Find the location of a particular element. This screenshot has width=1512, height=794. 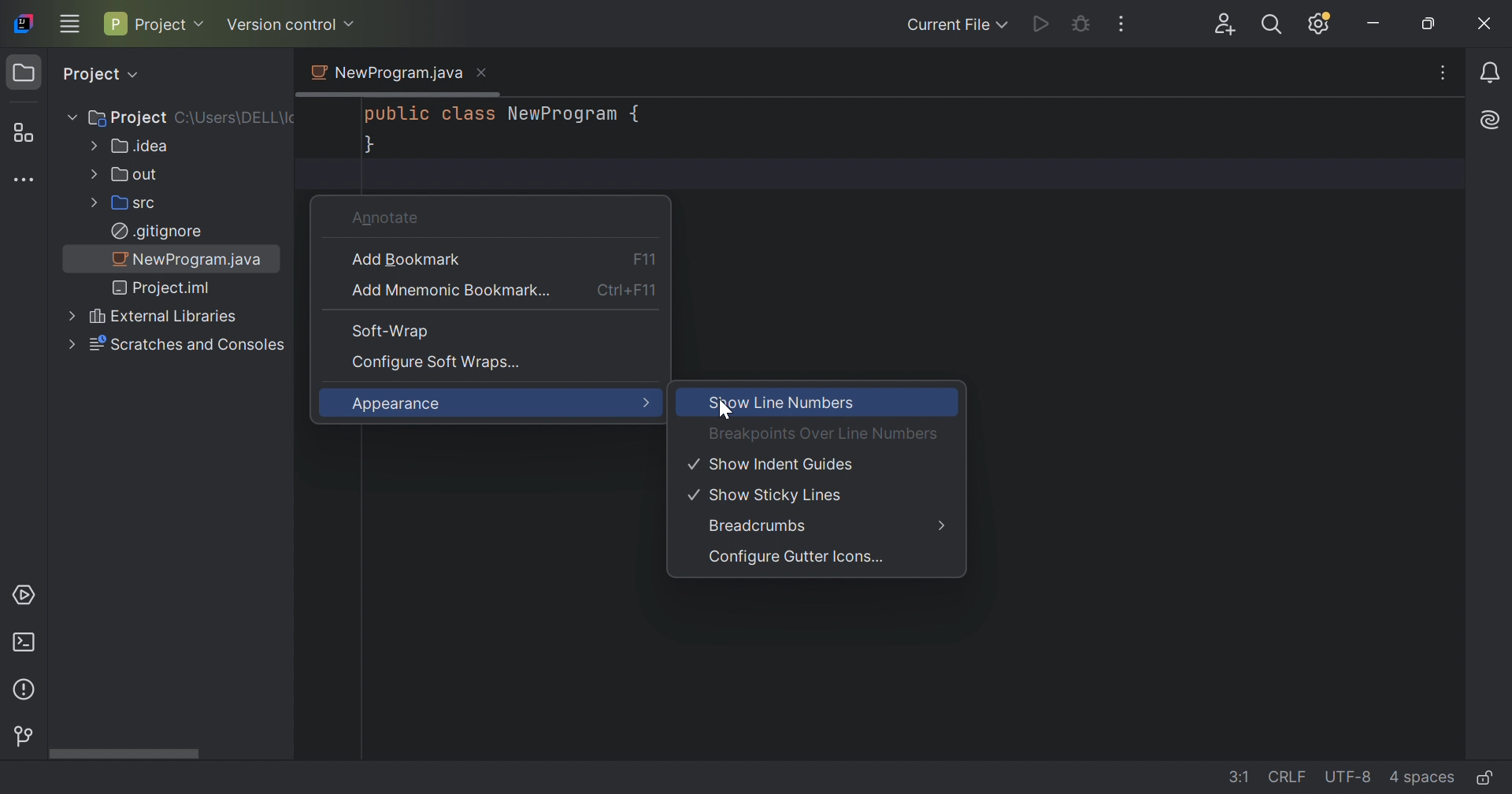

Drop Down is located at coordinates (139, 76).